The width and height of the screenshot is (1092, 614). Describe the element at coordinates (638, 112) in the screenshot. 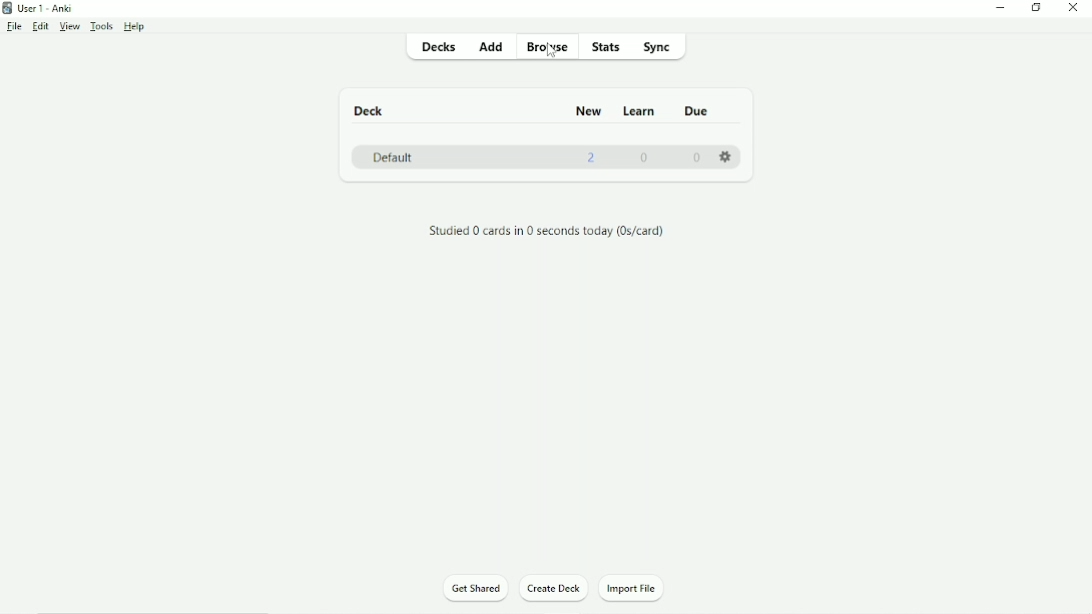

I see `Learn` at that location.